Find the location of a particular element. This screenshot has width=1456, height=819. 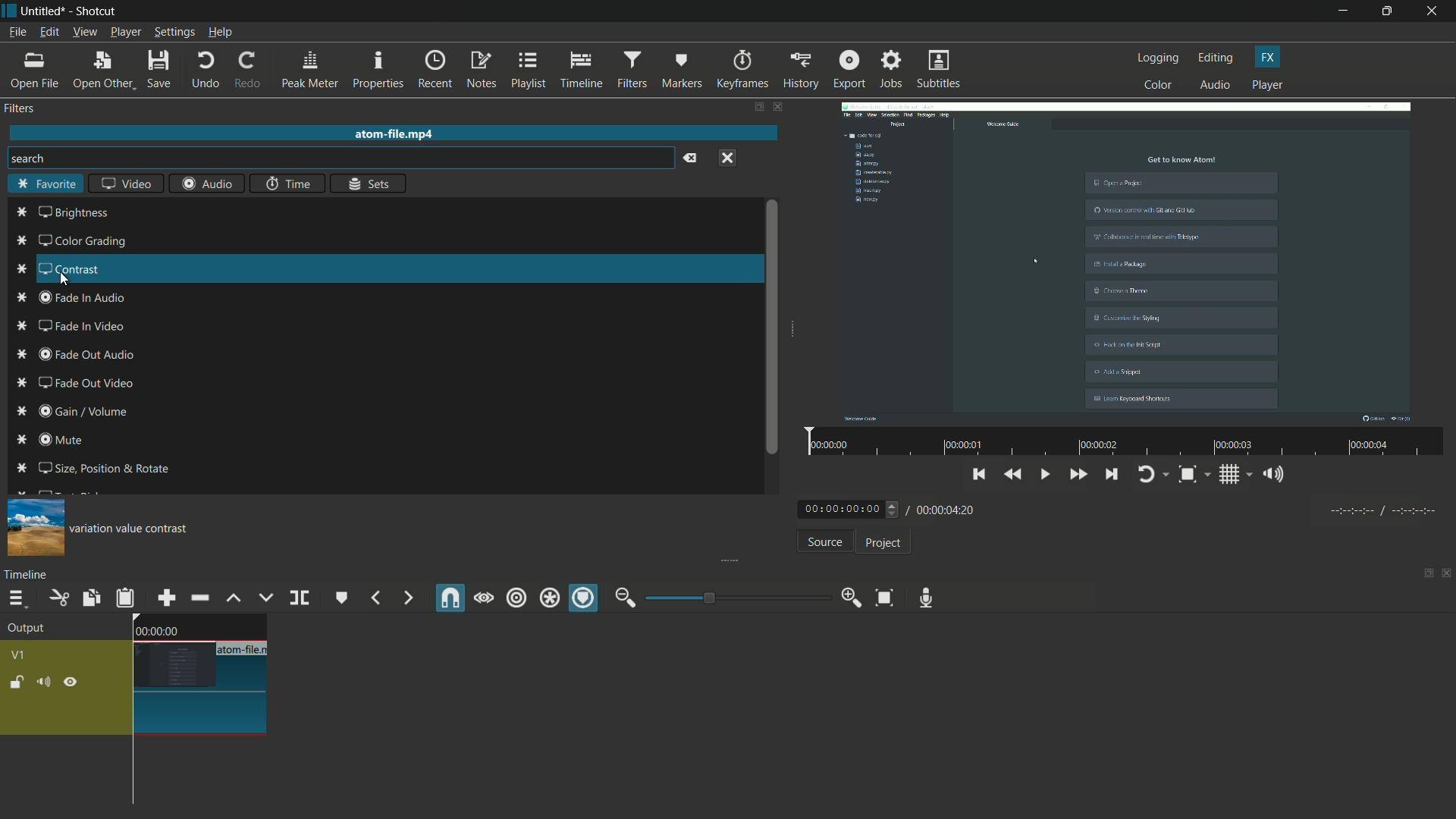

view menu is located at coordinates (84, 32).